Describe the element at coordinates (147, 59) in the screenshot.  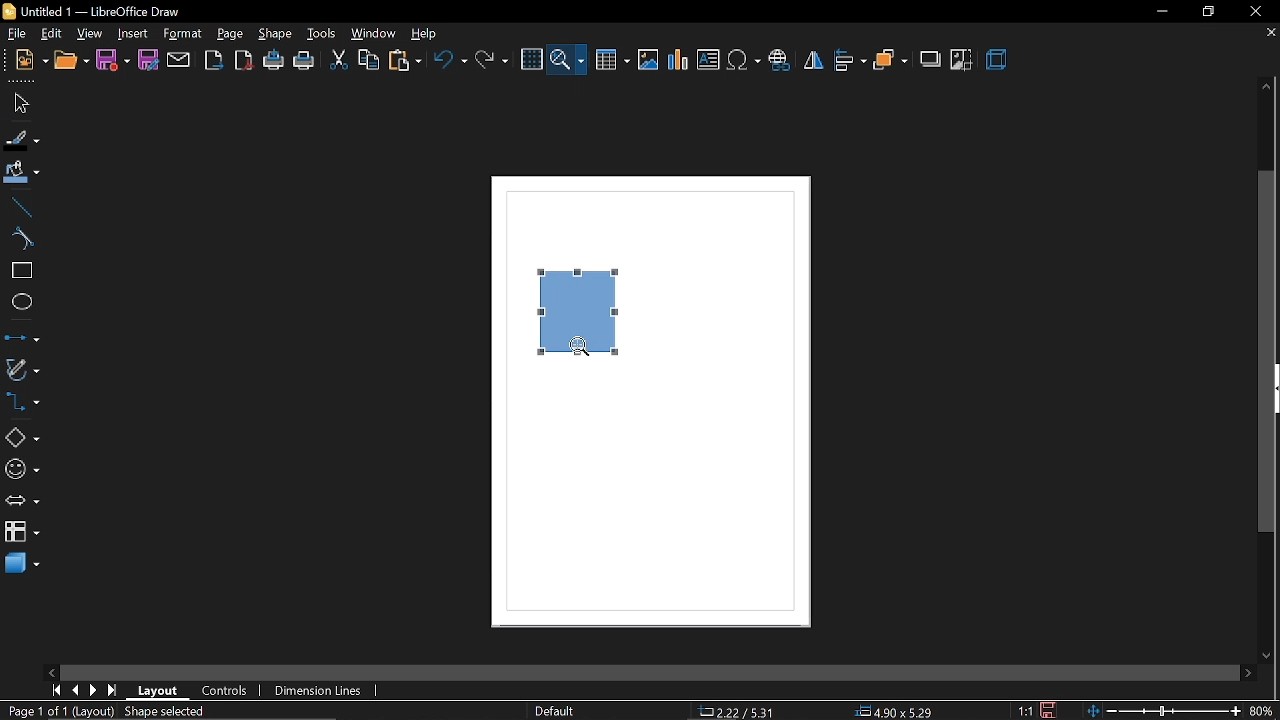
I see `save as` at that location.